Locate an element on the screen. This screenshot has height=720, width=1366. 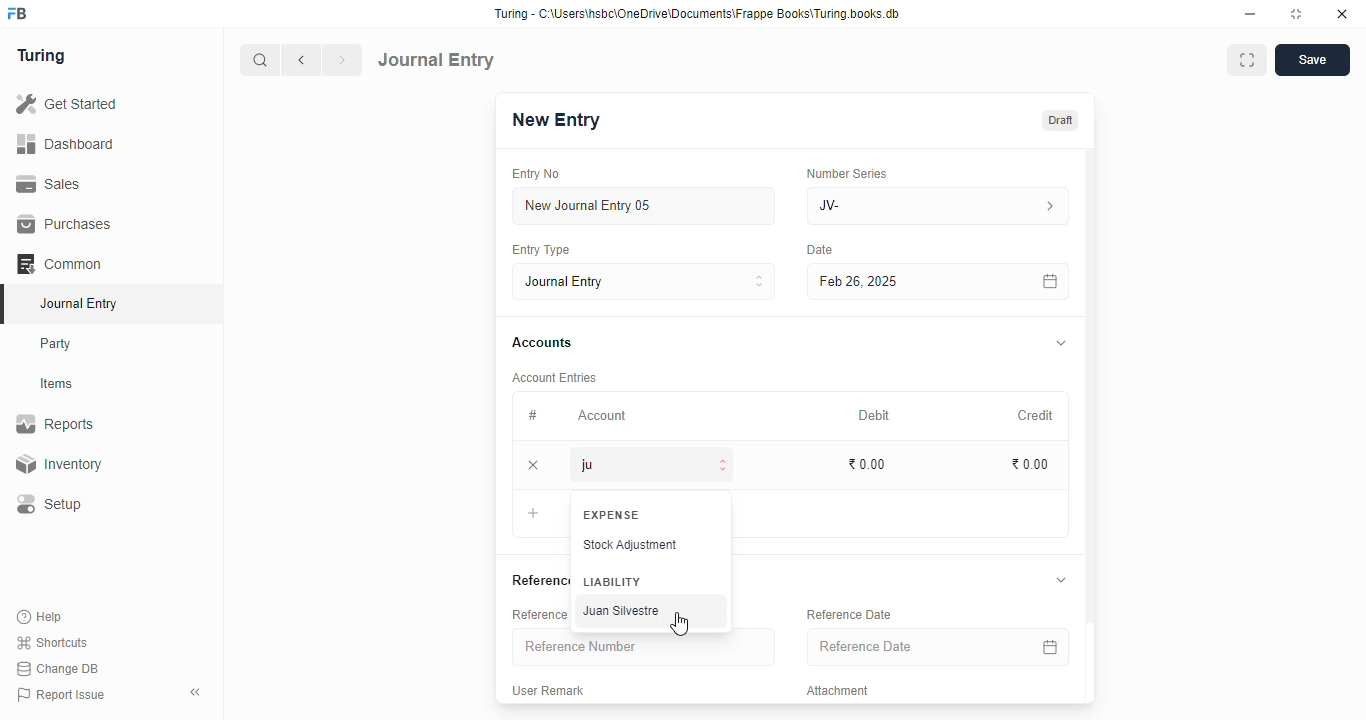
common is located at coordinates (61, 264).